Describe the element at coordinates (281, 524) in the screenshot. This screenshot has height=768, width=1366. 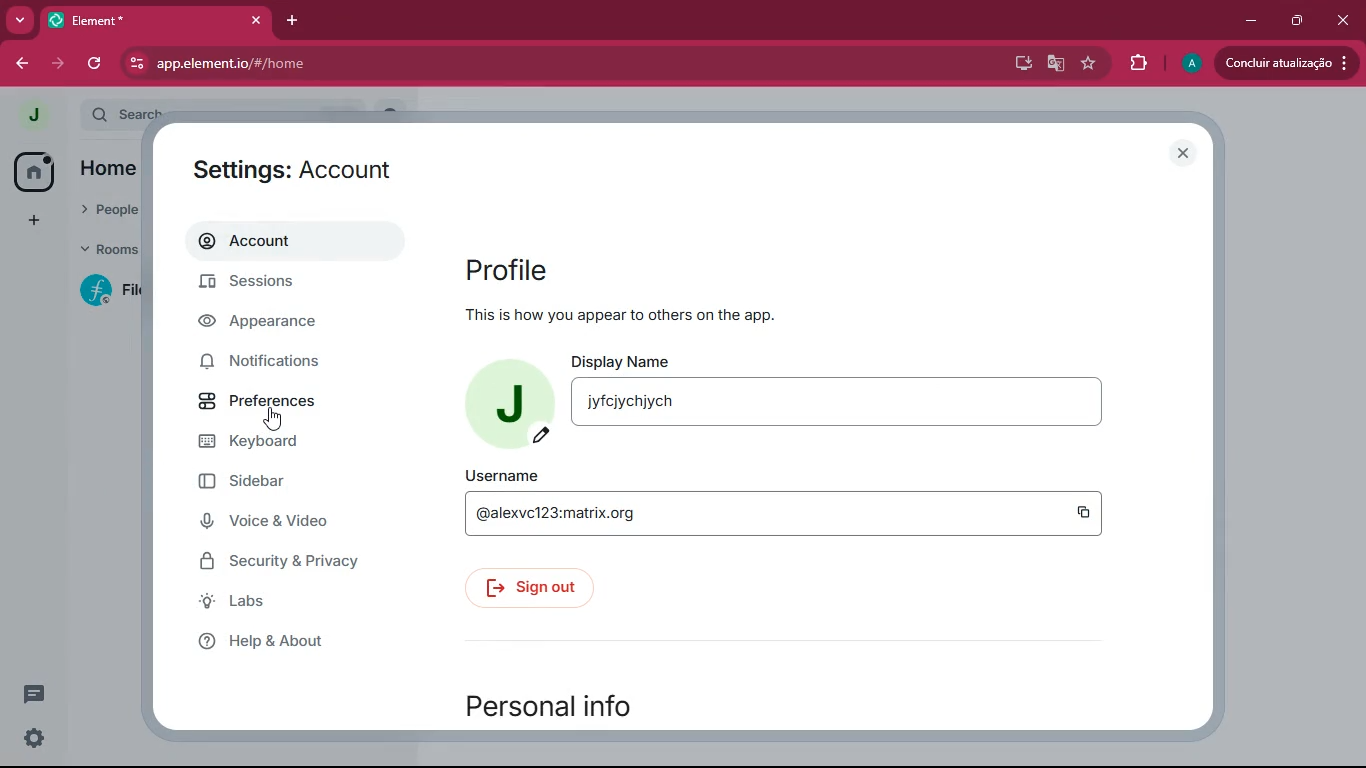
I see `voice & video` at that location.